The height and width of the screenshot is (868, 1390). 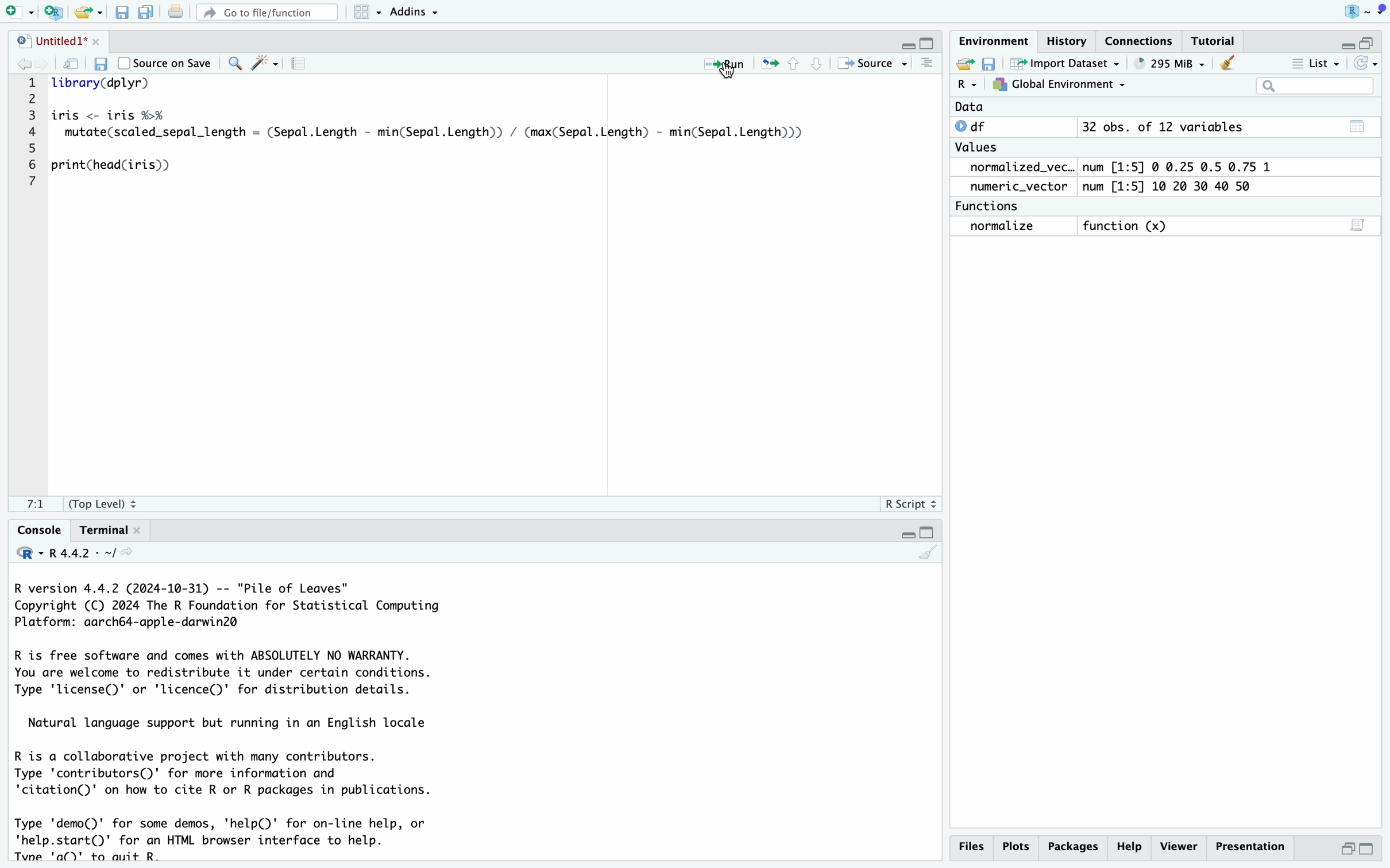 I want to click on 1:1, so click(x=34, y=506).